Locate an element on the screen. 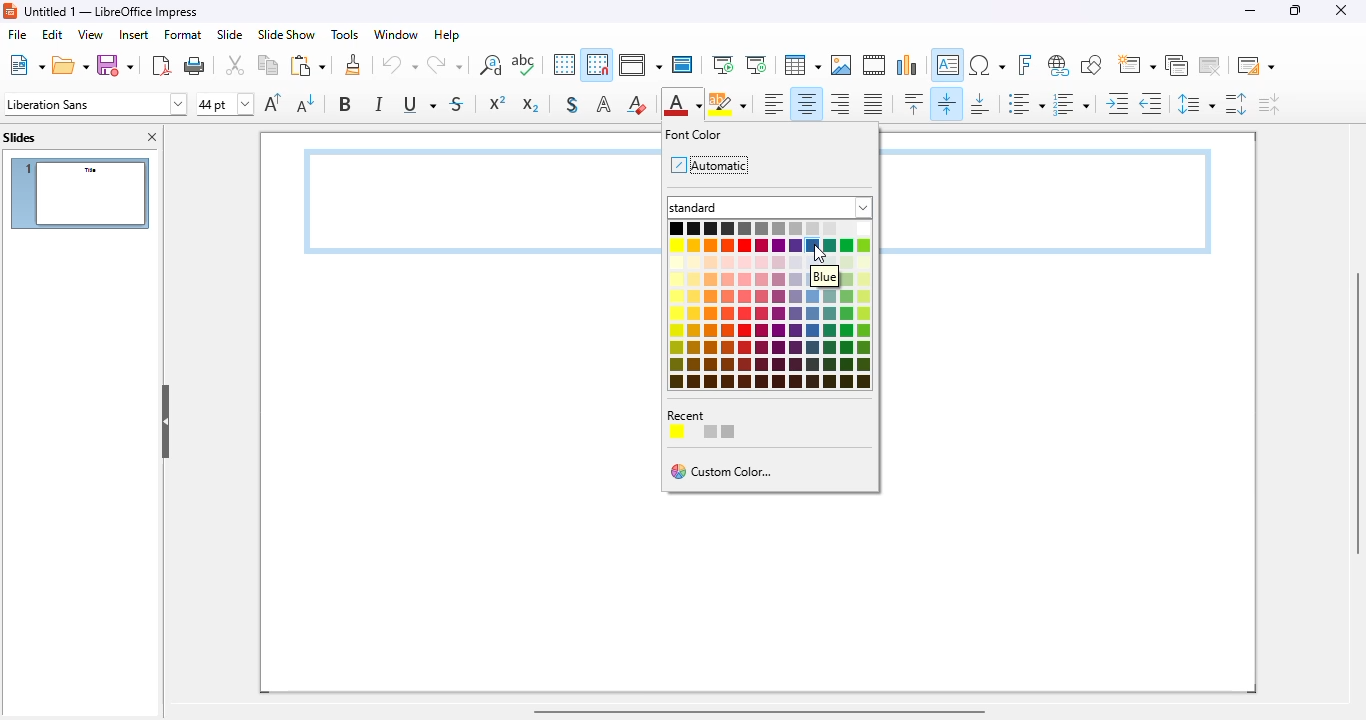  help is located at coordinates (448, 35).